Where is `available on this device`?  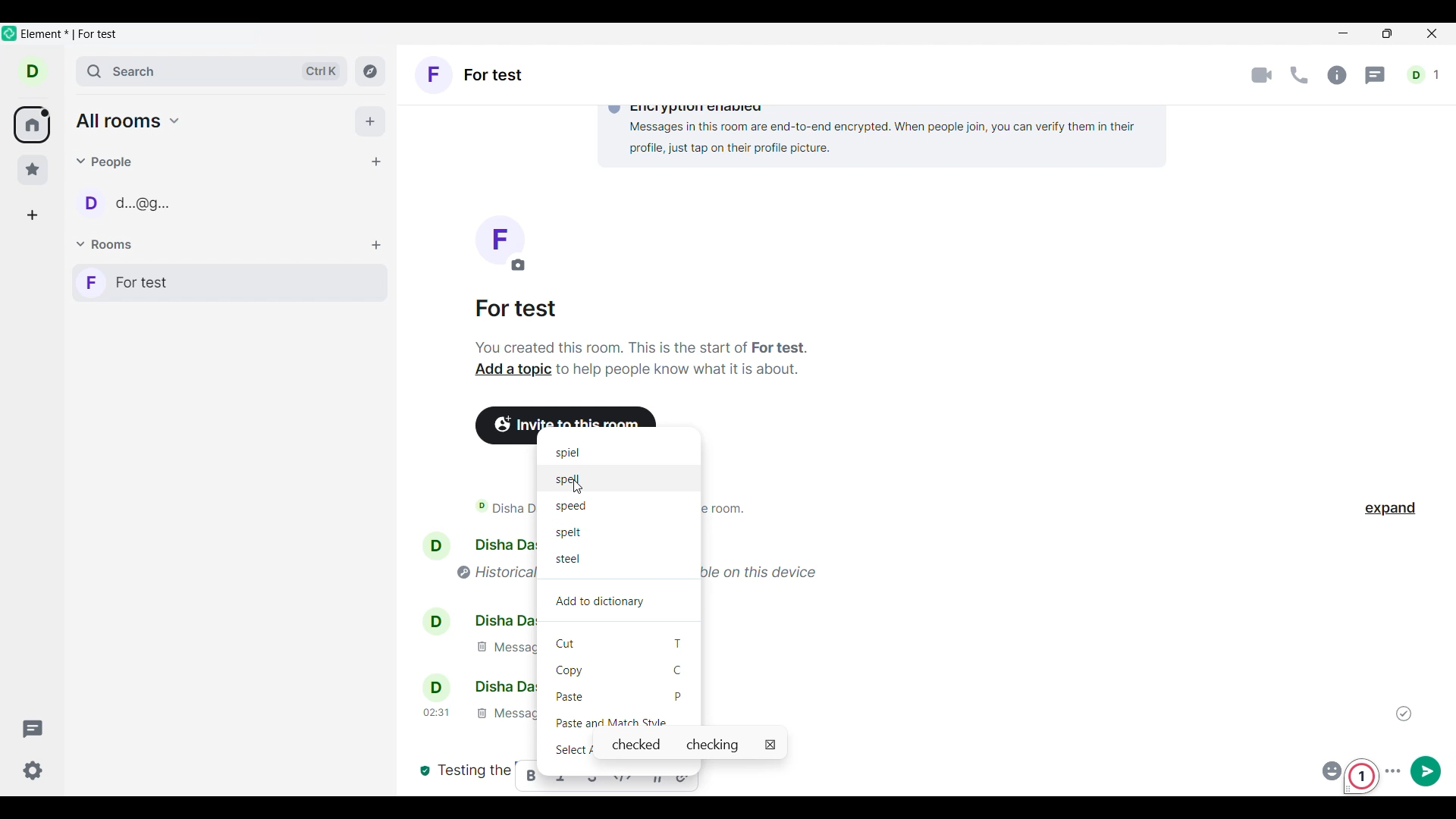
available on this device is located at coordinates (770, 570).